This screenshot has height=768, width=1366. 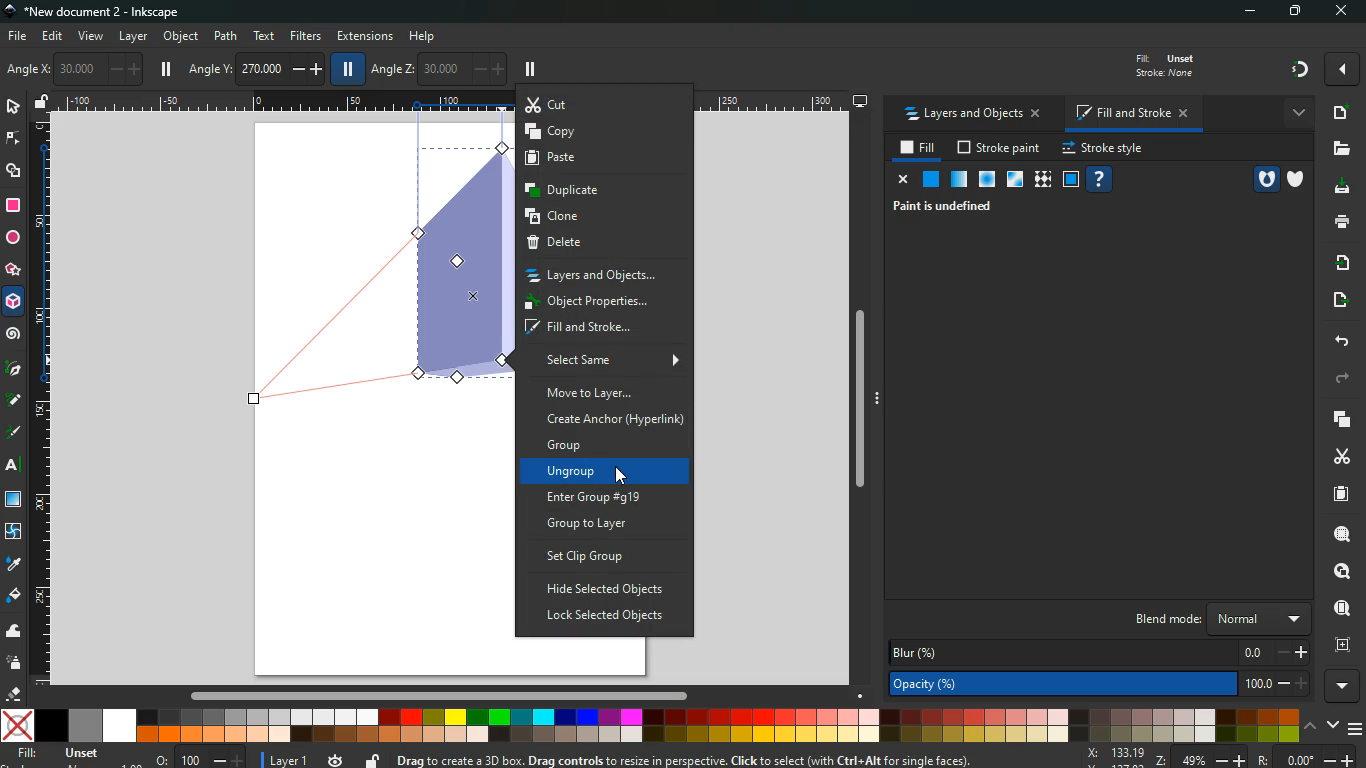 I want to click on fill and stroke, so click(x=1130, y=115).